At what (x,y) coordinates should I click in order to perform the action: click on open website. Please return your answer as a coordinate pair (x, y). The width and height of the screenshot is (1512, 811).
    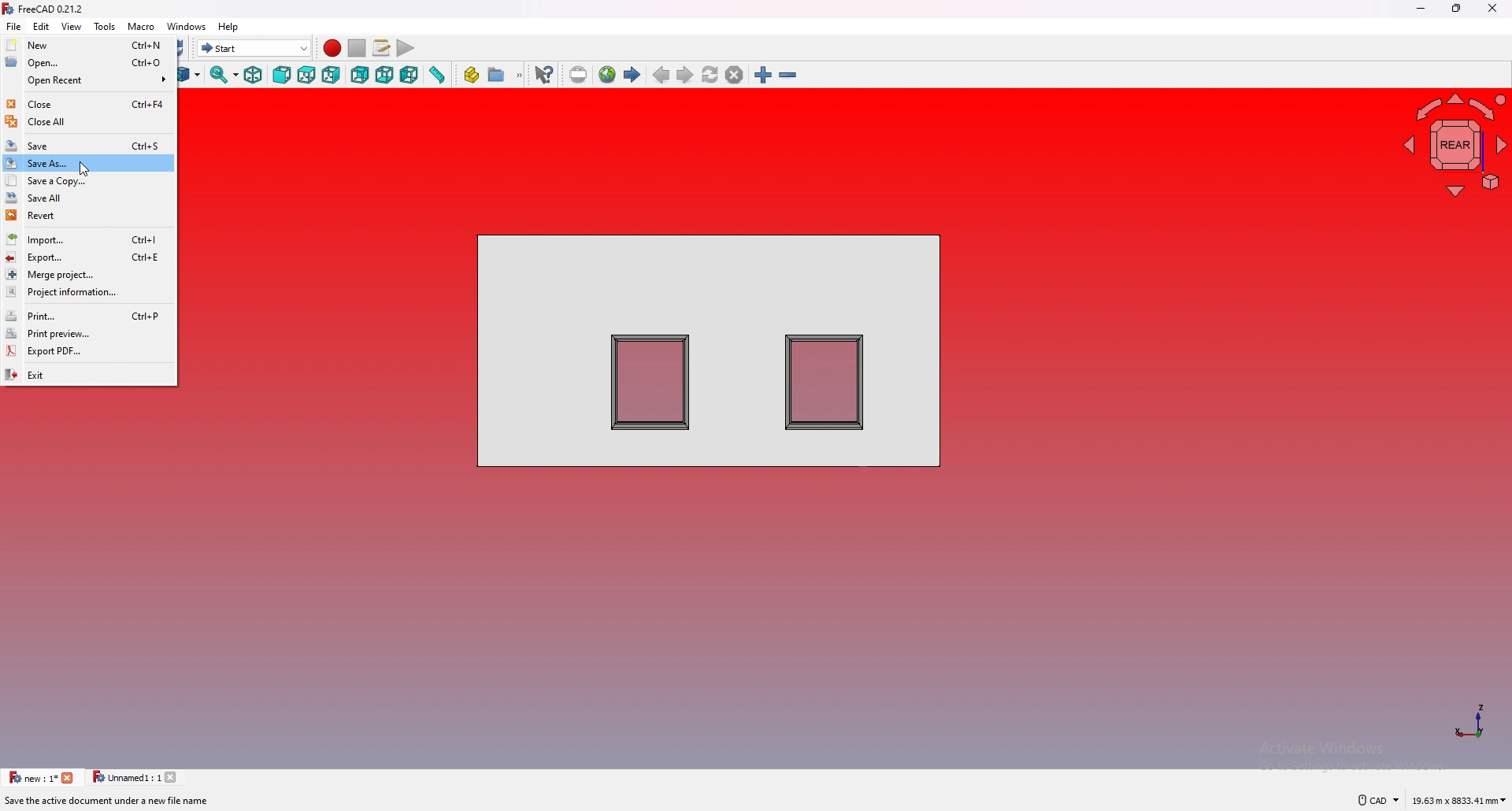
    Looking at the image, I should click on (606, 75).